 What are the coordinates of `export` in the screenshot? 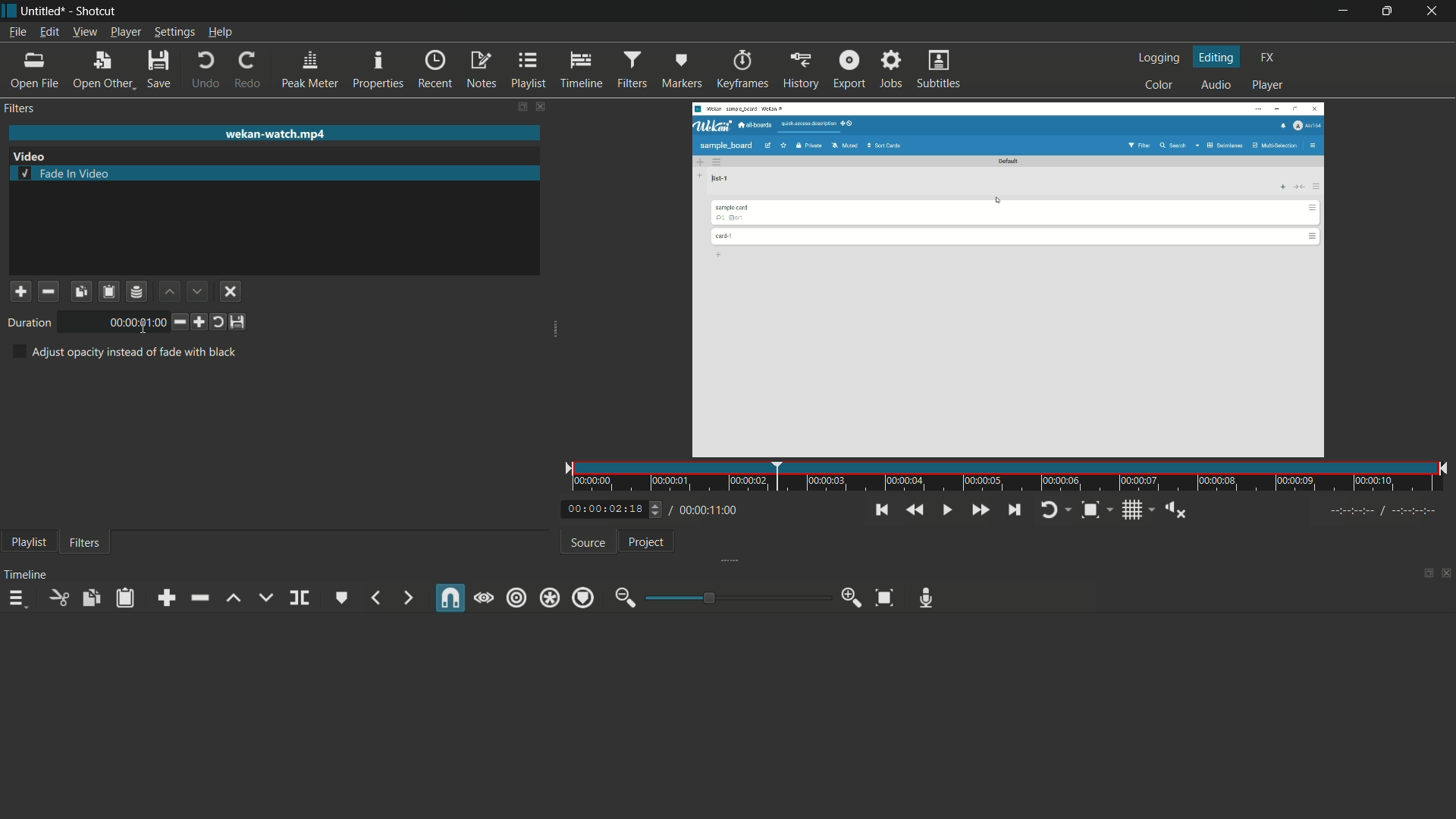 It's located at (849, 69).